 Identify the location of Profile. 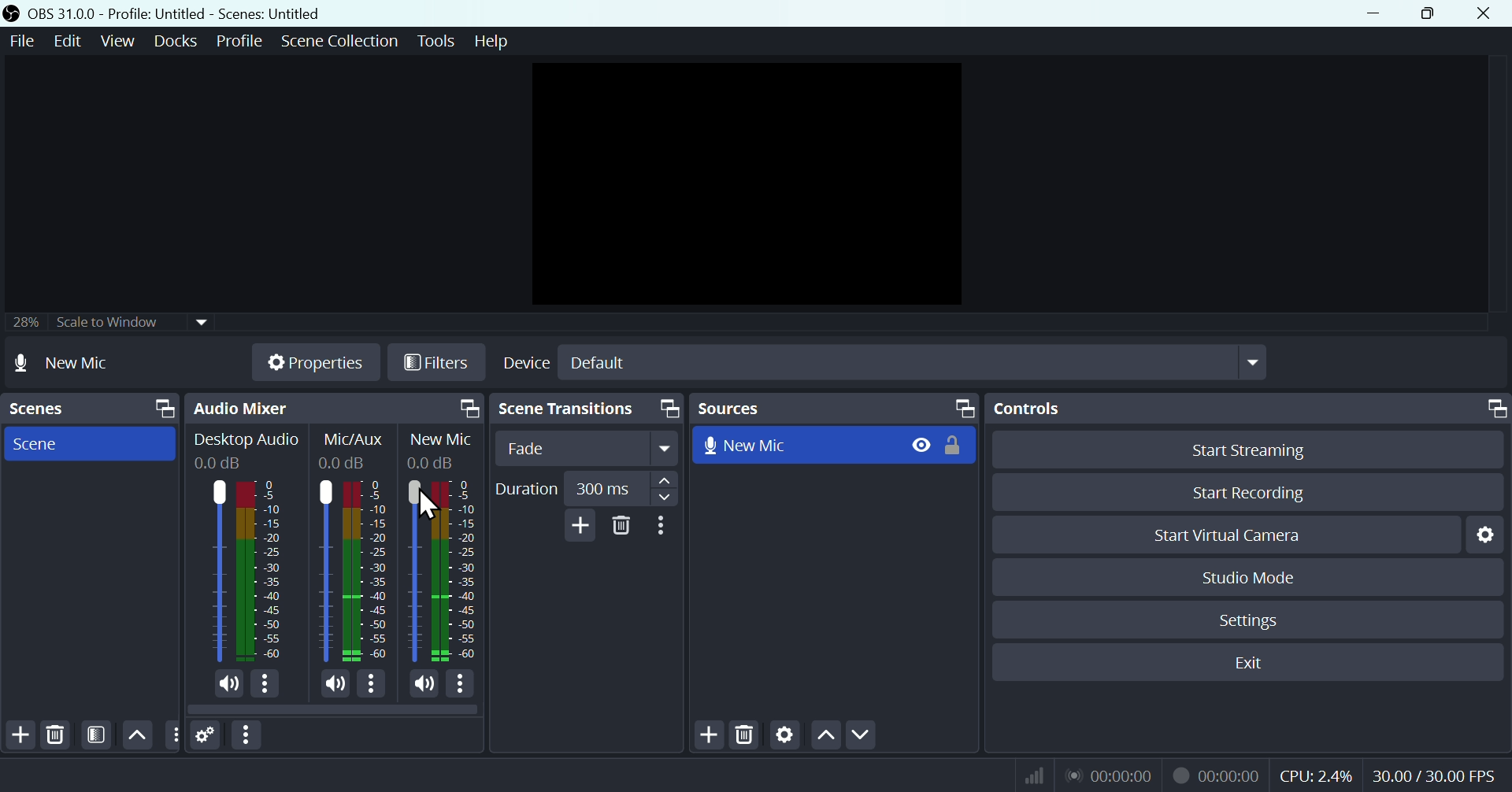
(239, 41).